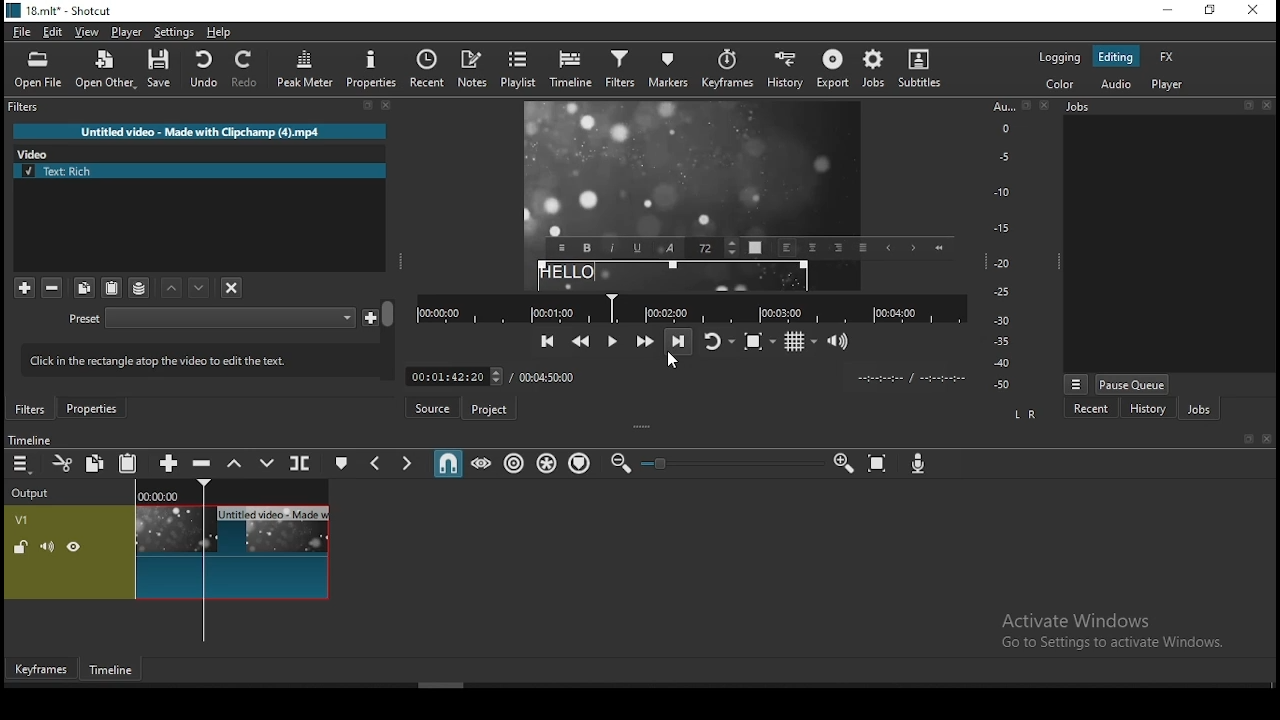  Describe the element at coordinates (31, 409) in the screenshot. I see `filters` at that location.